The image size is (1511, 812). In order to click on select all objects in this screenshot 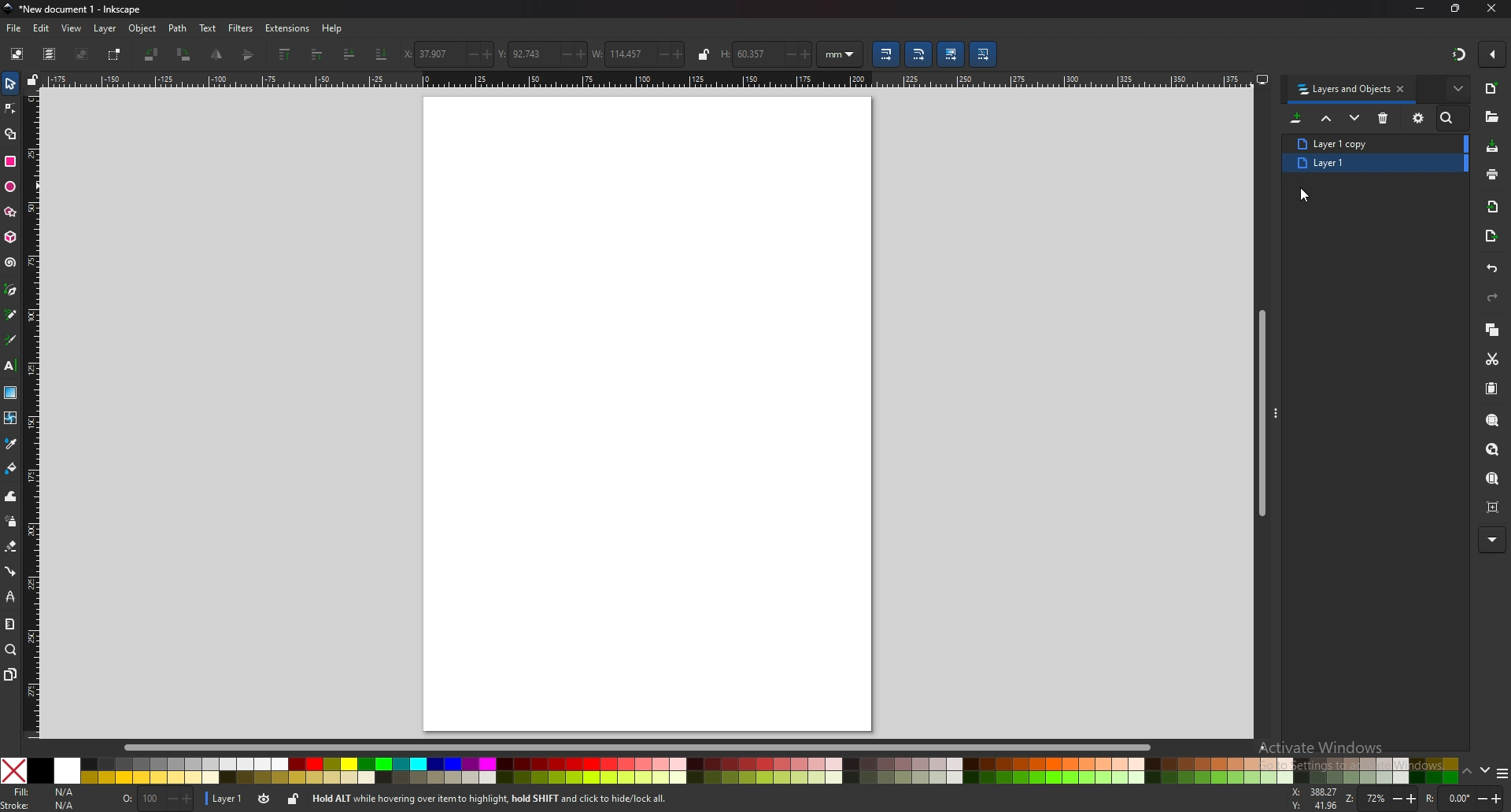, I will do `click(17, 53)`.